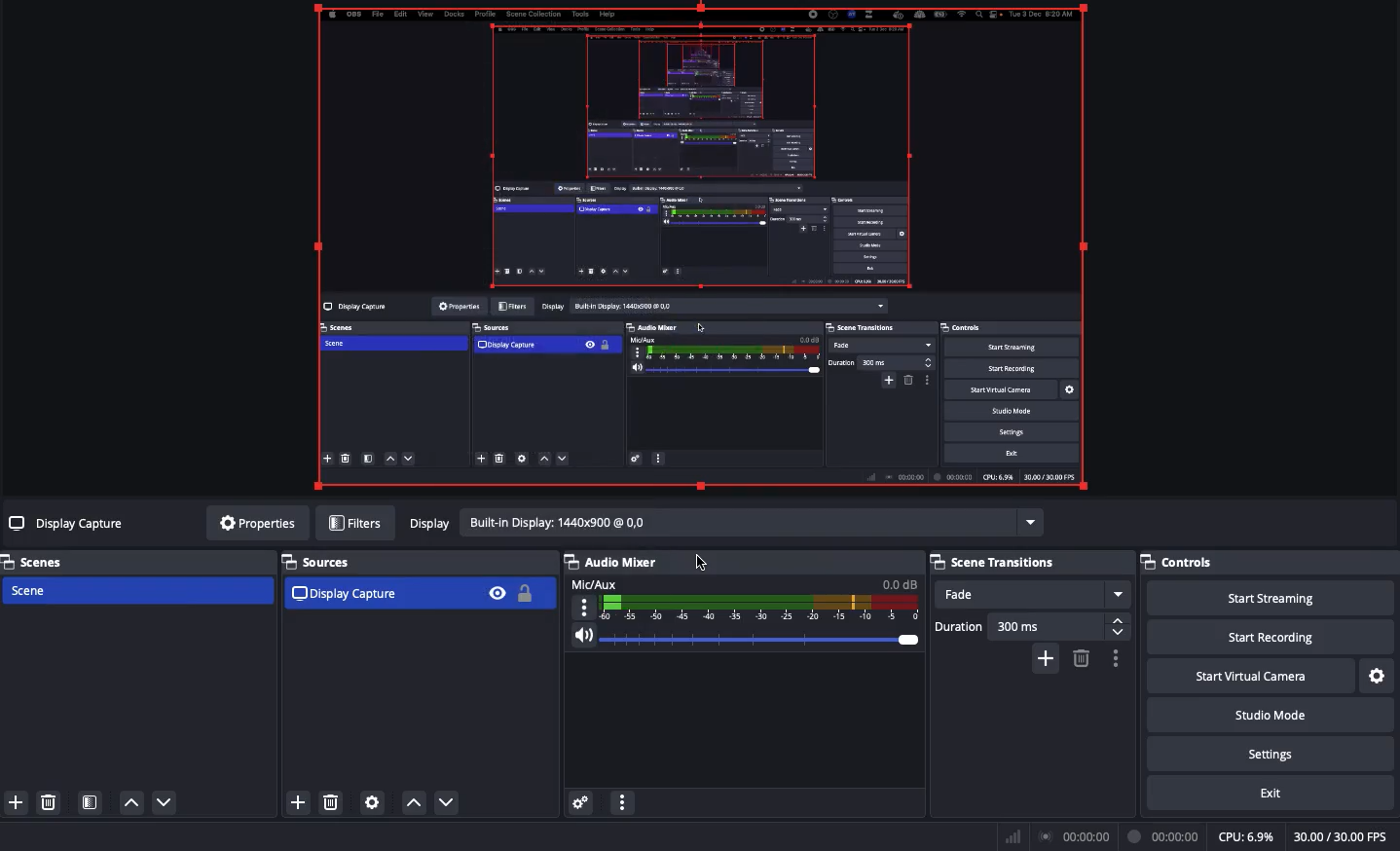 Image resolution: width=1400 pixels, height=851 pixels. What do you see at coordinates (1164, 834) in the screenshot?
I see `Recording` at bounding box center [1164, 834].